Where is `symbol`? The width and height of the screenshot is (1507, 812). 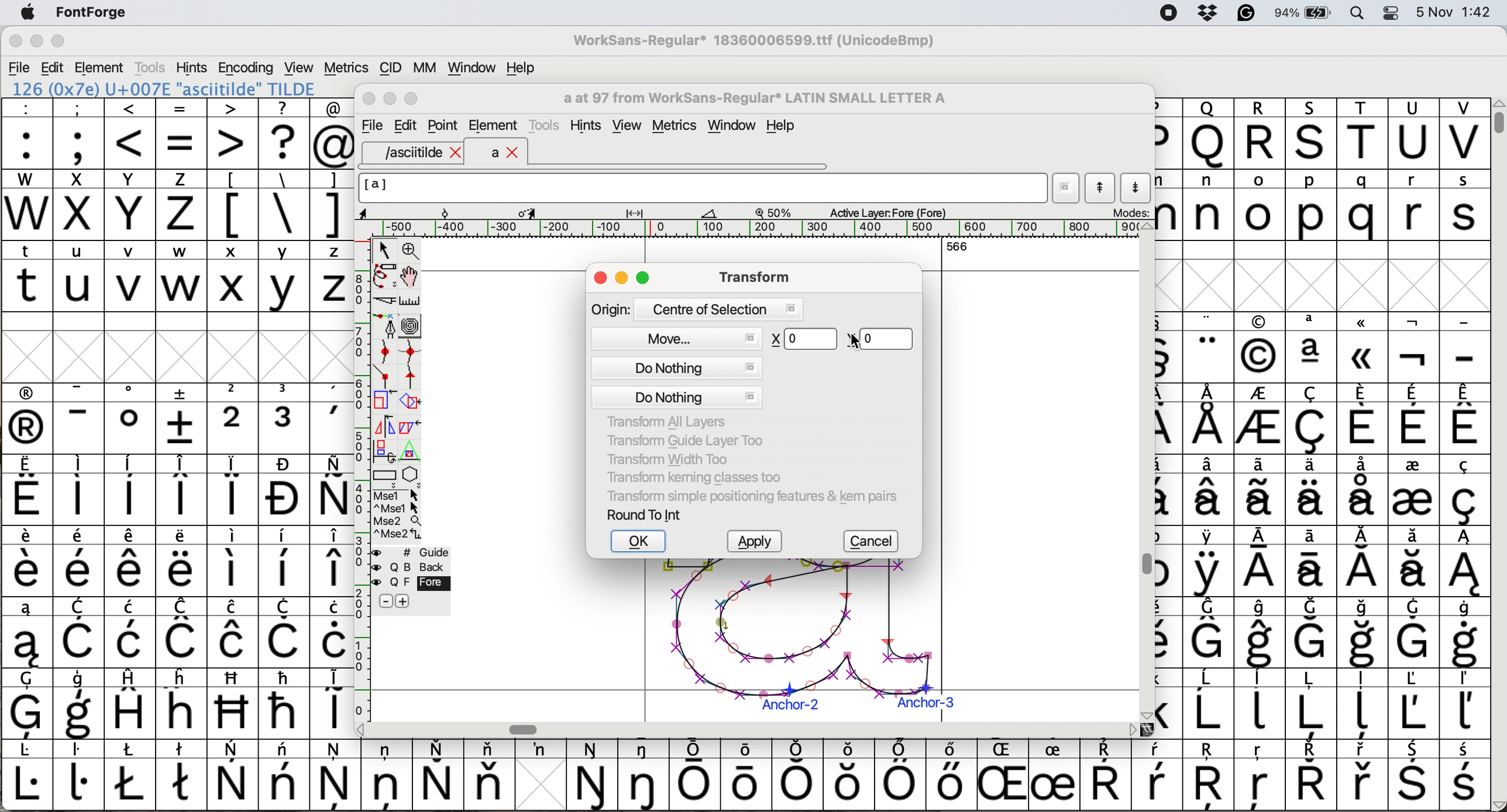 symbol is located at coordinates (28, 491).